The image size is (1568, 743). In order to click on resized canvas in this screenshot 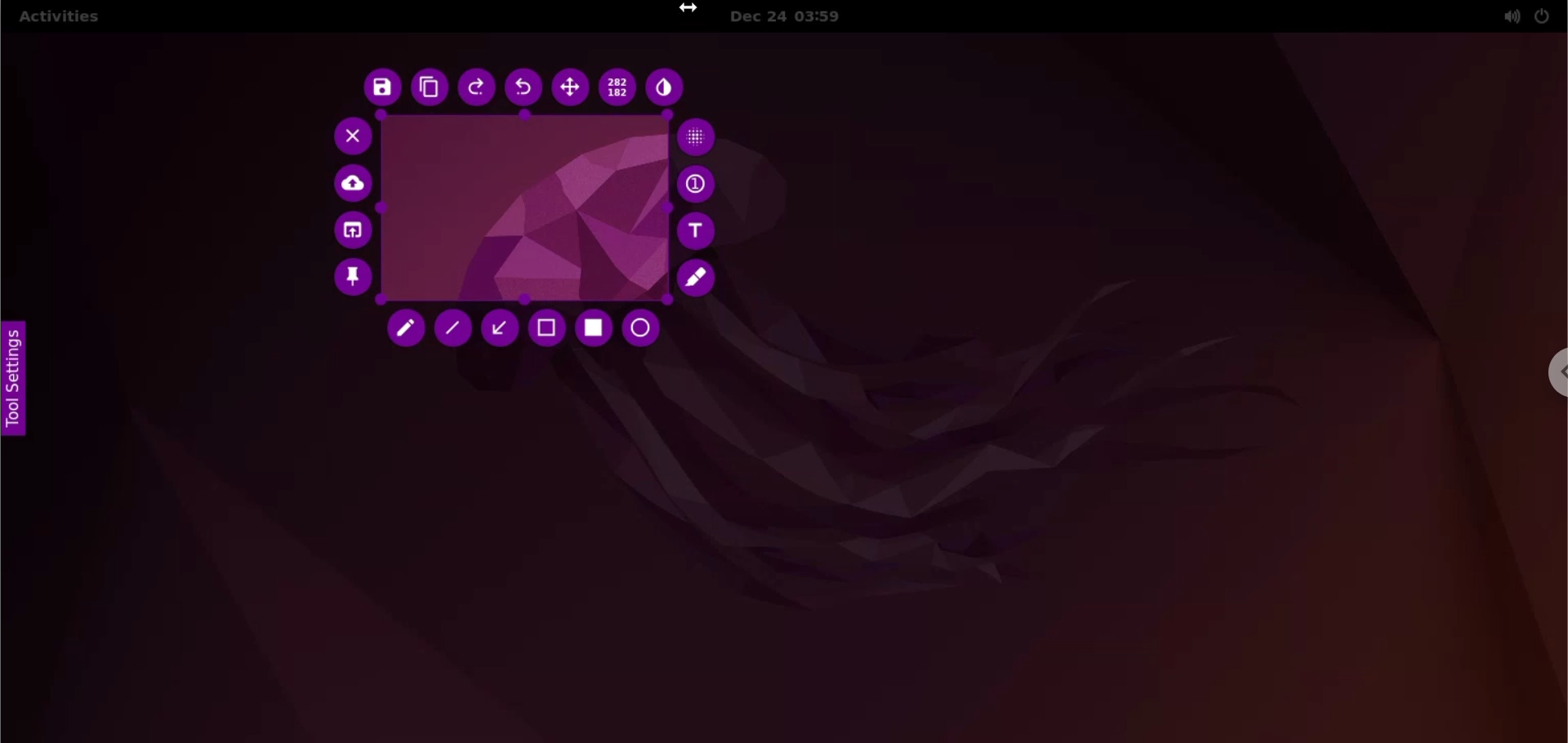, I will do `click(523, 206)`.